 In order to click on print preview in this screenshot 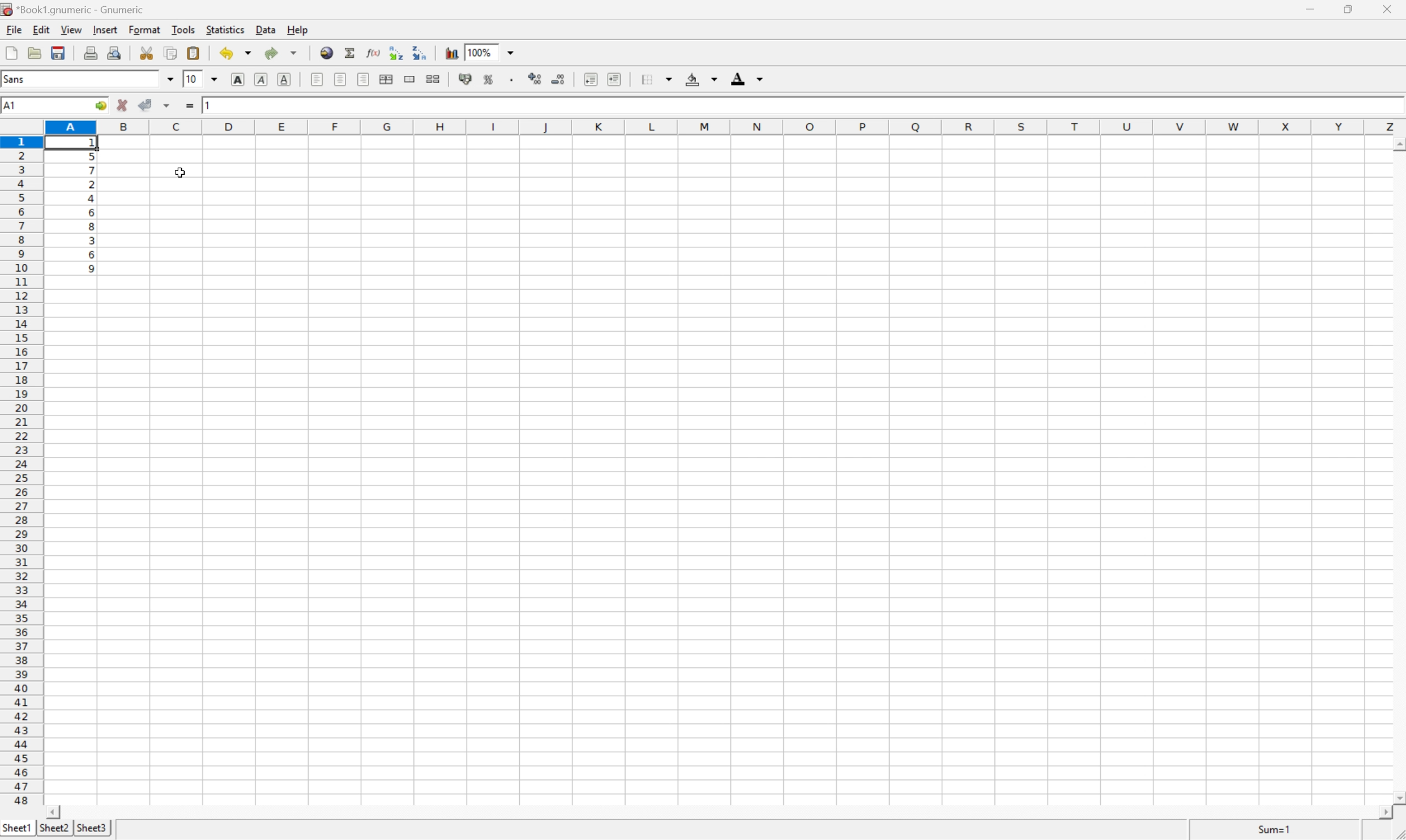, I will do `click(113, 52)`.